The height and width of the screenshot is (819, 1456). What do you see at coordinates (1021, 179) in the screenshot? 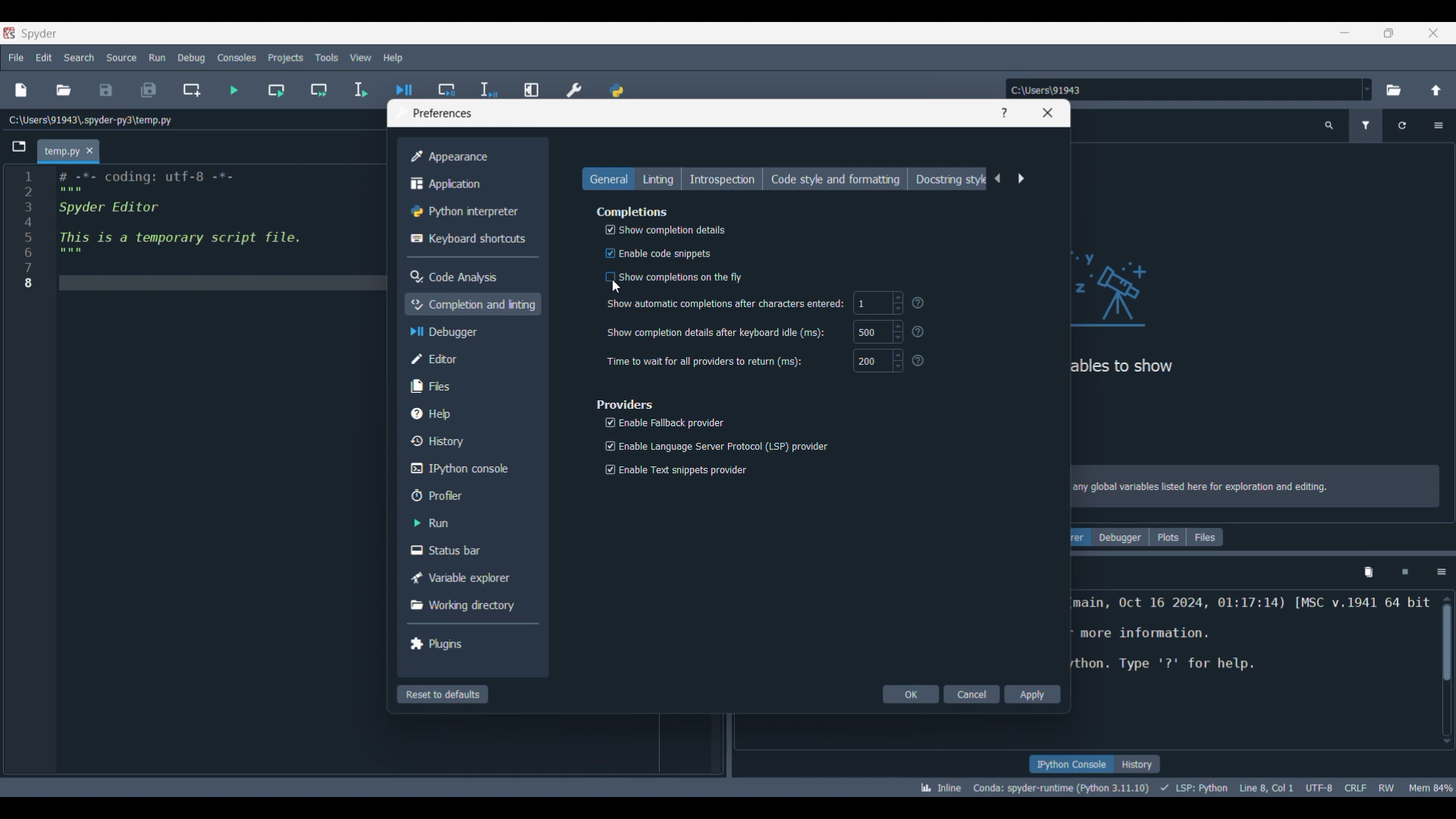
I see `Next` at bounding box center [1021, 179].